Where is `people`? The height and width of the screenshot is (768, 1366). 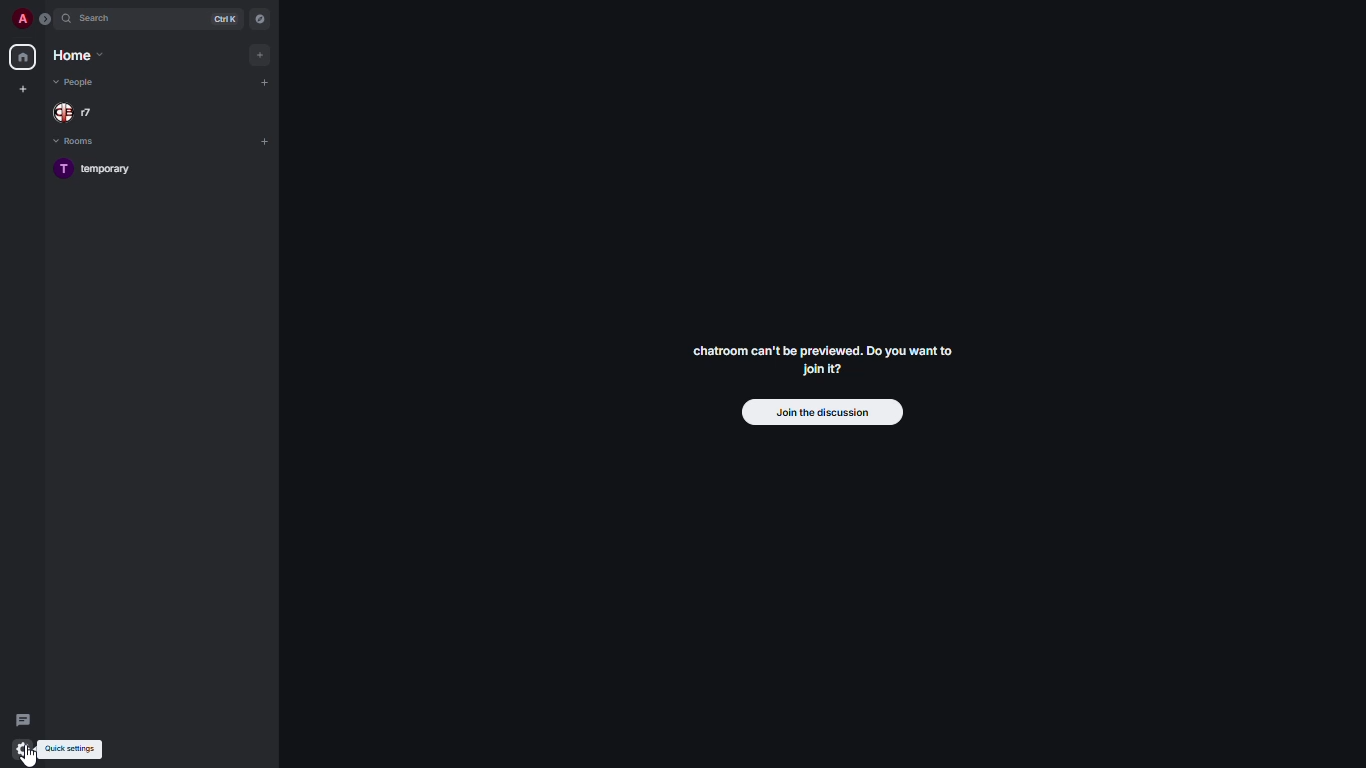
people is located at coordinates (78, 114).